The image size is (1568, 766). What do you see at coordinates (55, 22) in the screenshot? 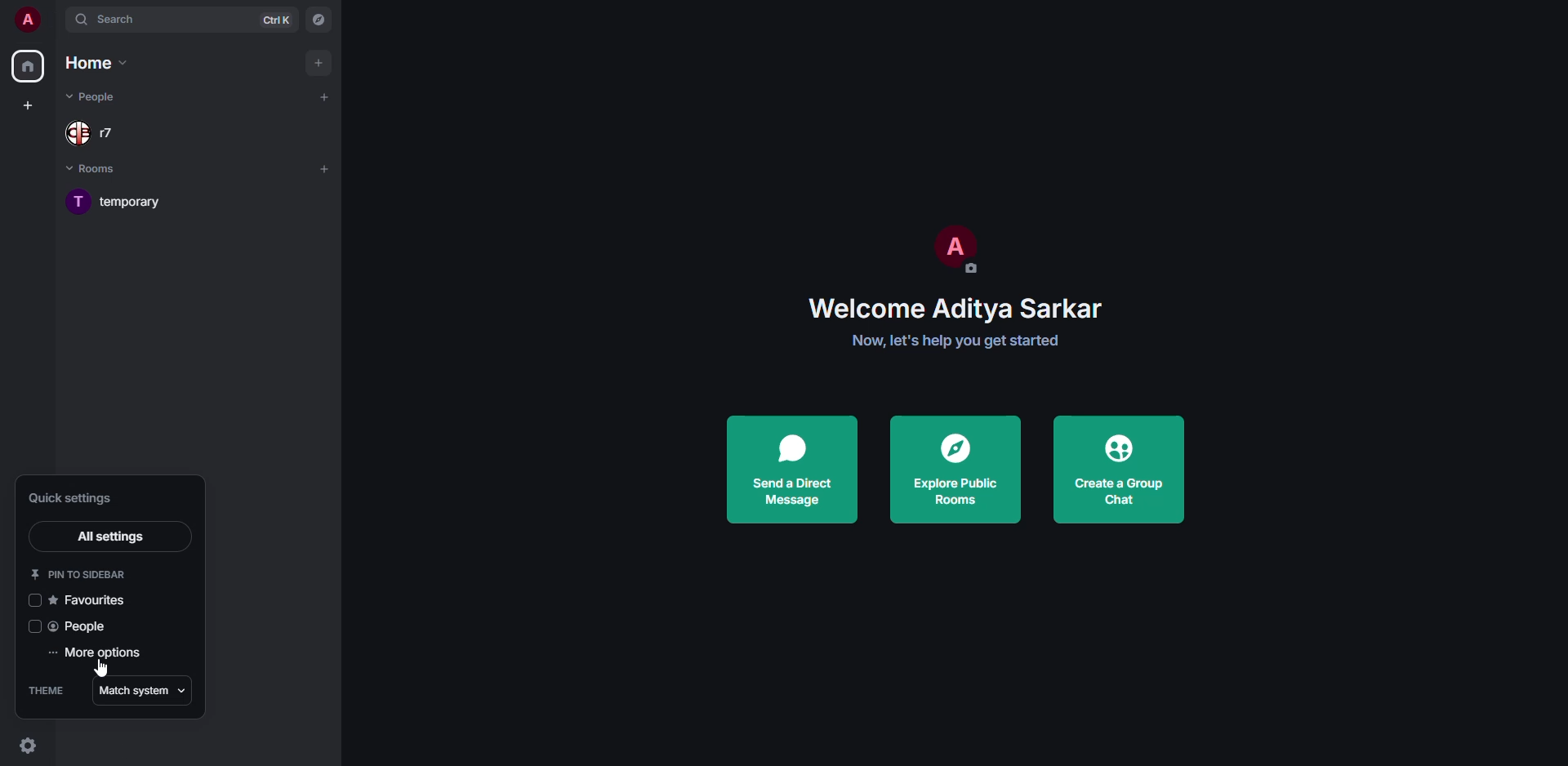
I see `expand` at bounding box center [55, 22].